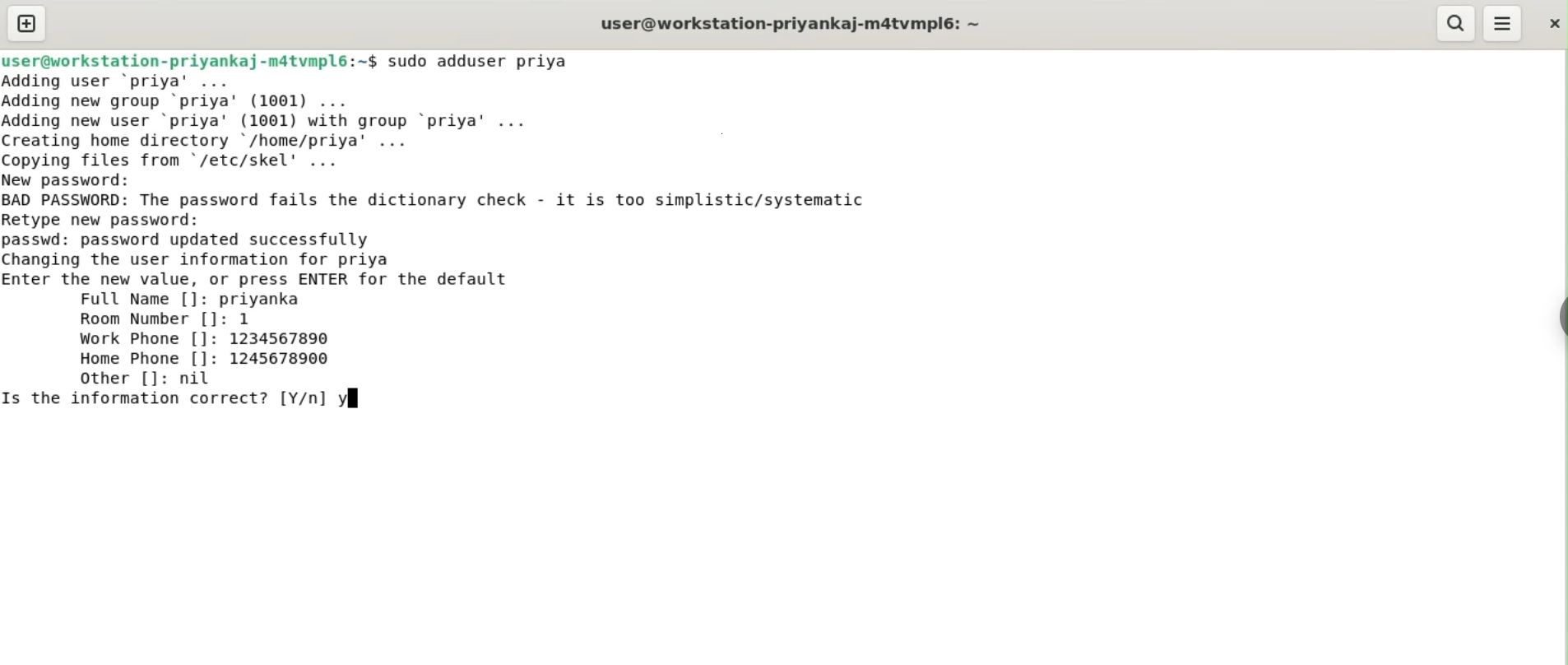  What do you see at coordinates (787, 23) in the screenshot?
I see `user@workstation-priyankaj-m4tvmpl6:~` at bounding box center [787, 23].